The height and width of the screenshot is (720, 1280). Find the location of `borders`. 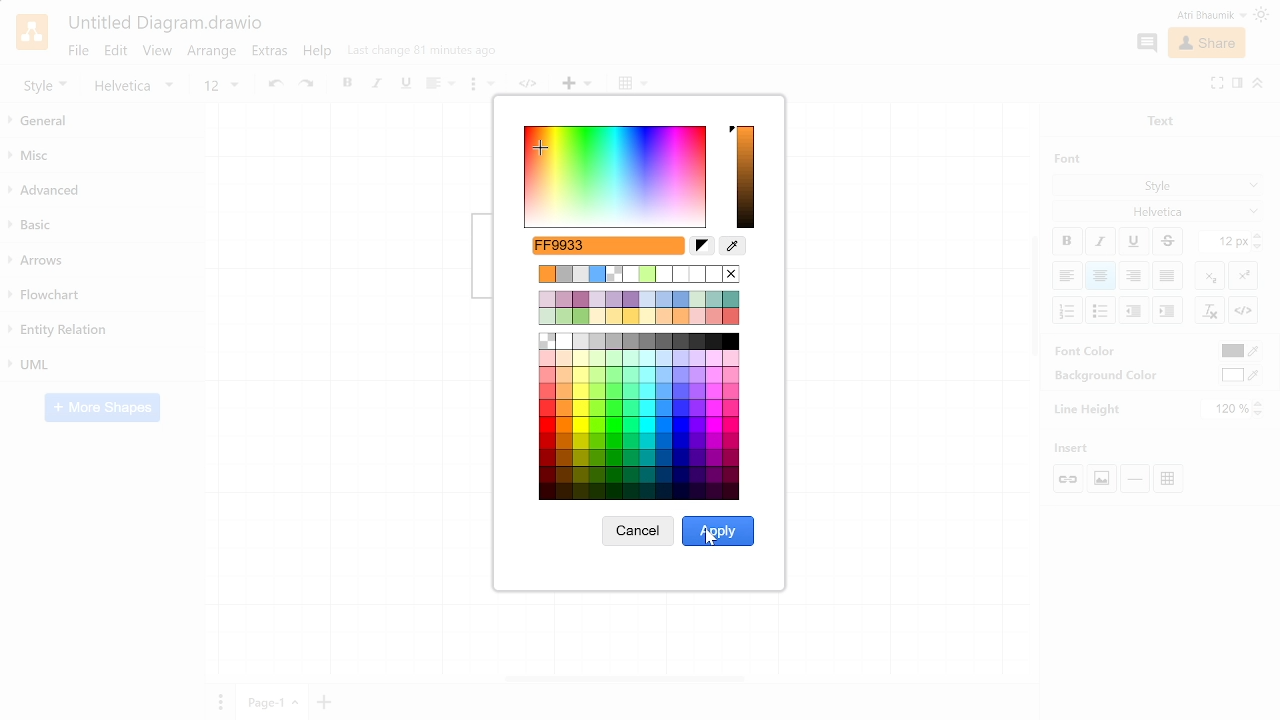

borders is located at coordinates (633, 84).